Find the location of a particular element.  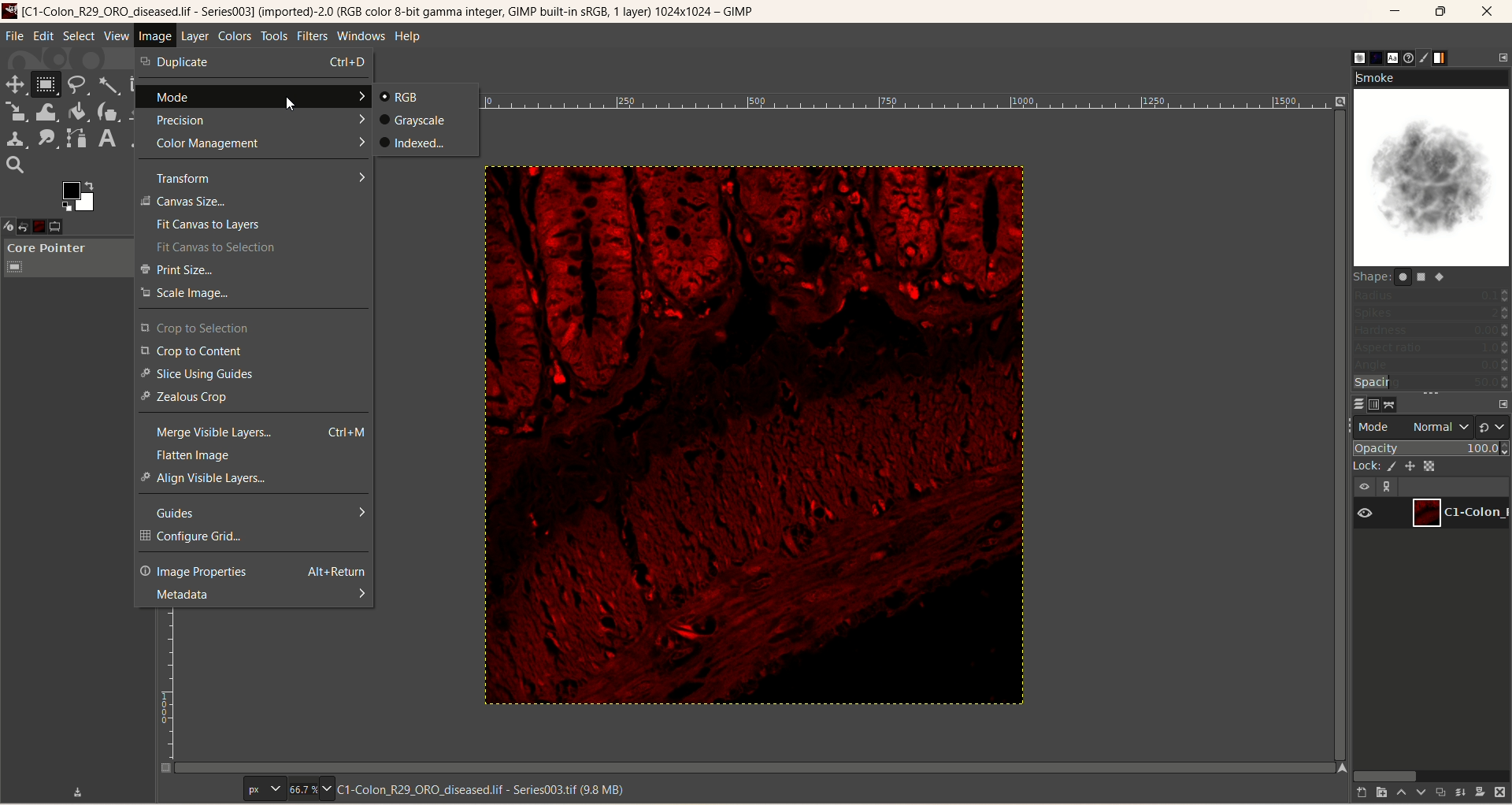

brush is located at coordinates (1359, 58).